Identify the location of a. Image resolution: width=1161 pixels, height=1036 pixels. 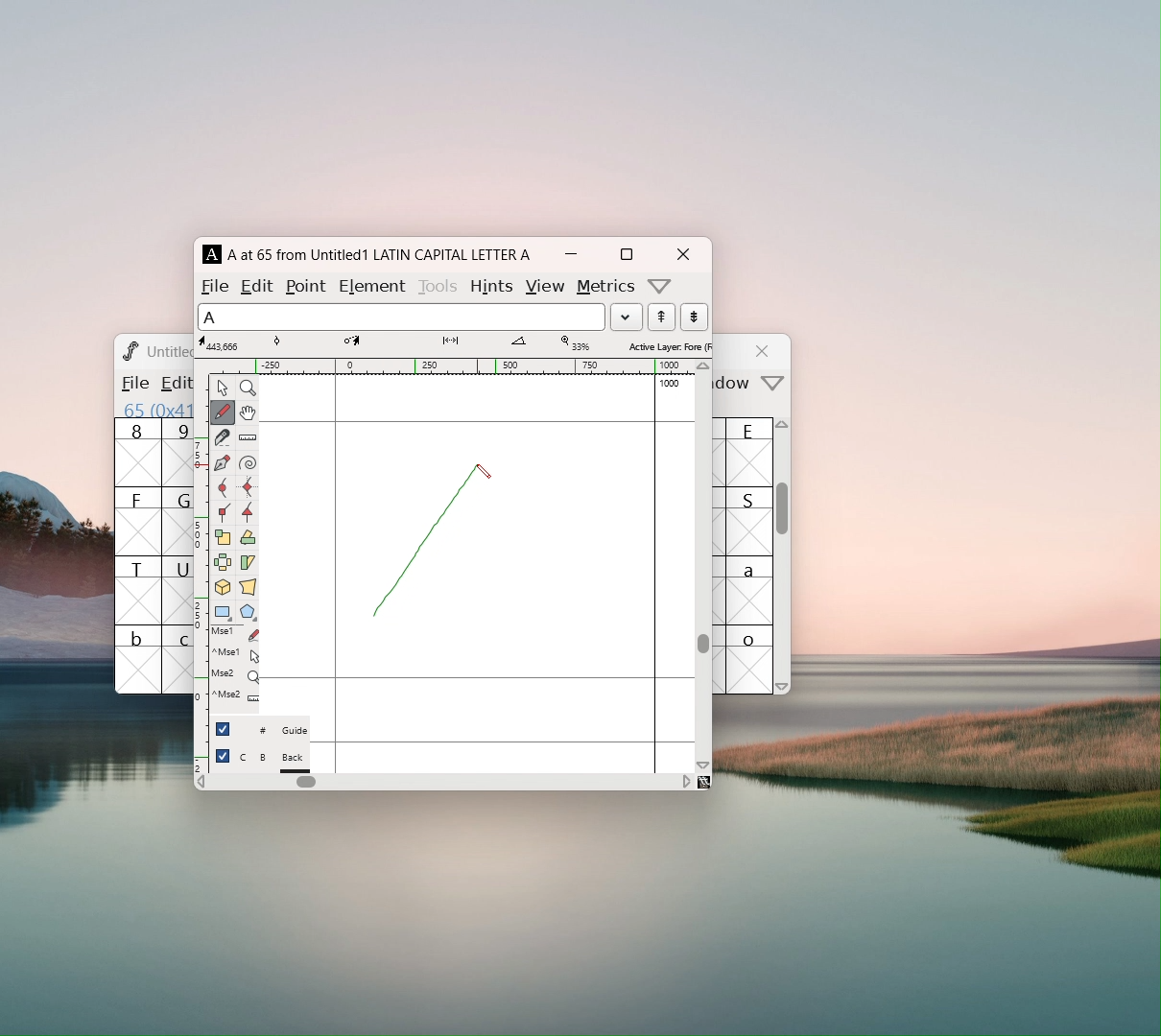
(750, 590).